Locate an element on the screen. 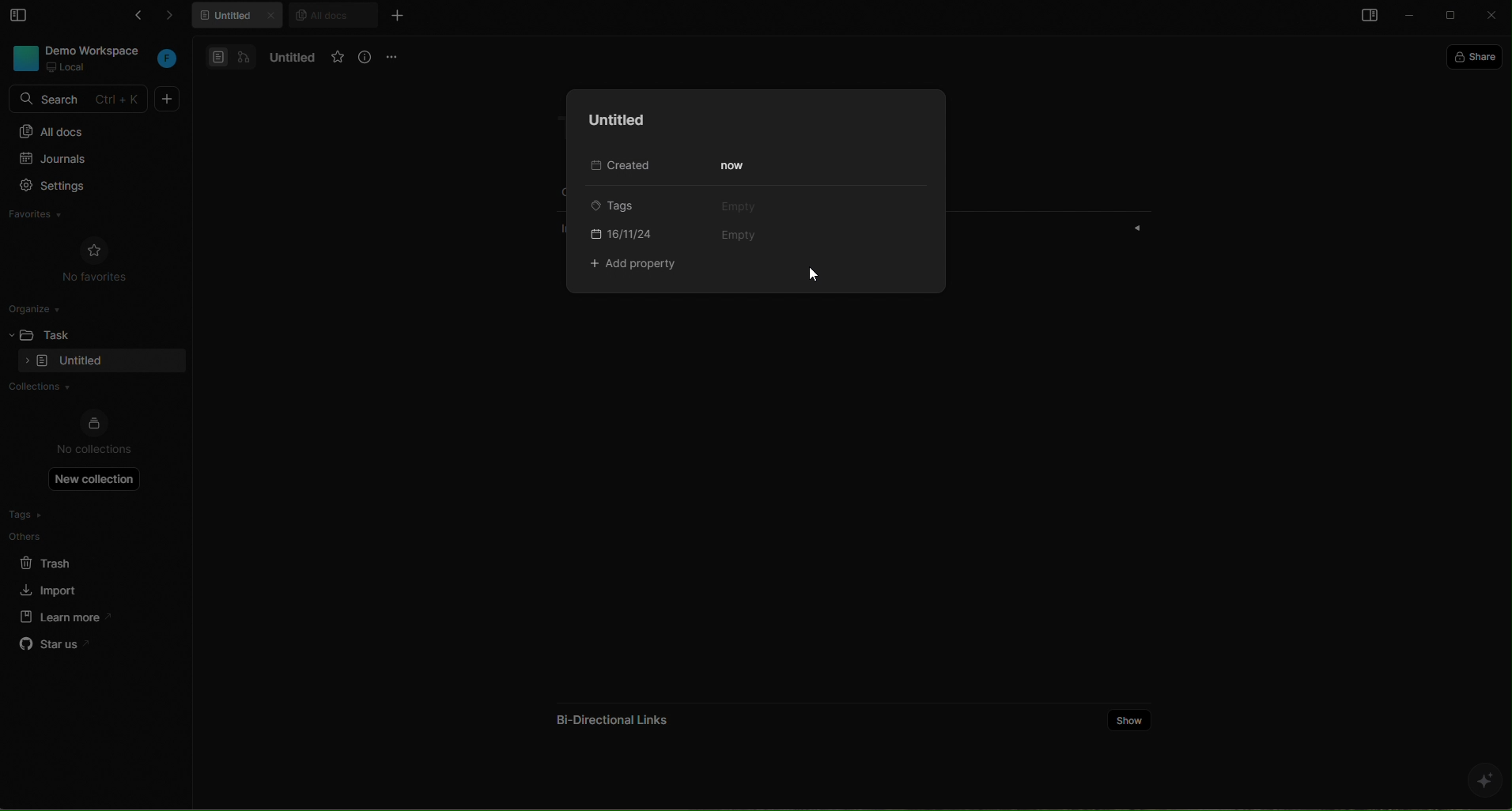  no collections is located at coordinates (94, 434).